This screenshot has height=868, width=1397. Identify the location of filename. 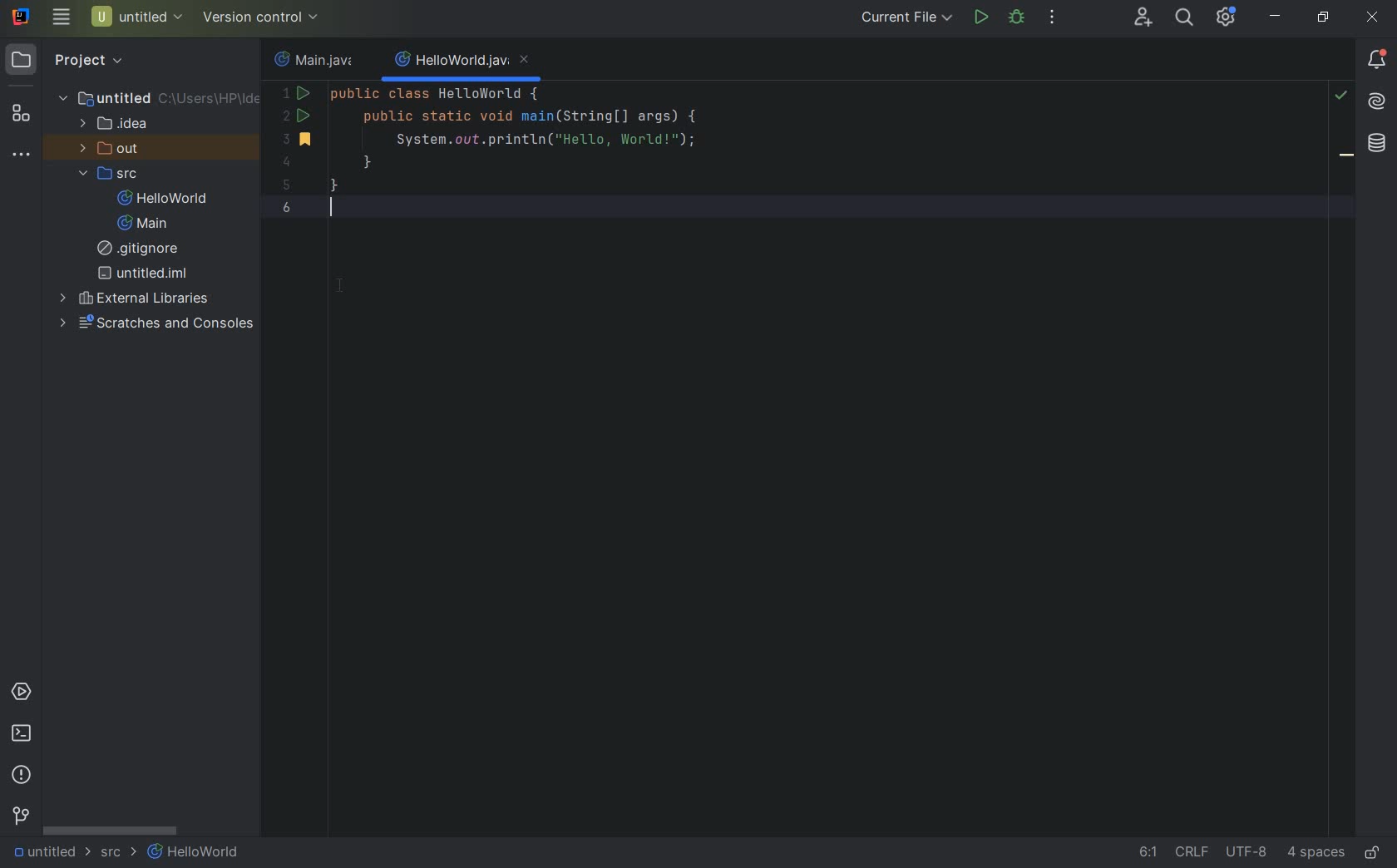
(461, 63).